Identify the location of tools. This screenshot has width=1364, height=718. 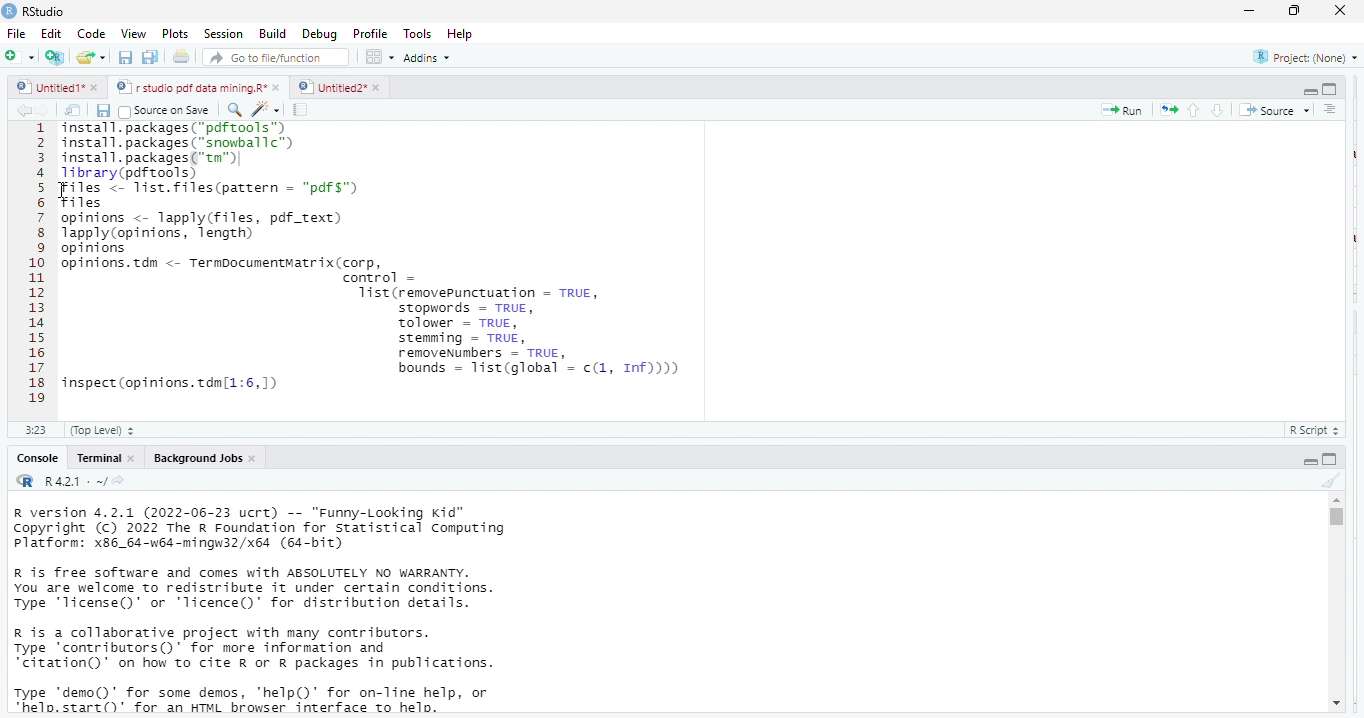
(420, 32).